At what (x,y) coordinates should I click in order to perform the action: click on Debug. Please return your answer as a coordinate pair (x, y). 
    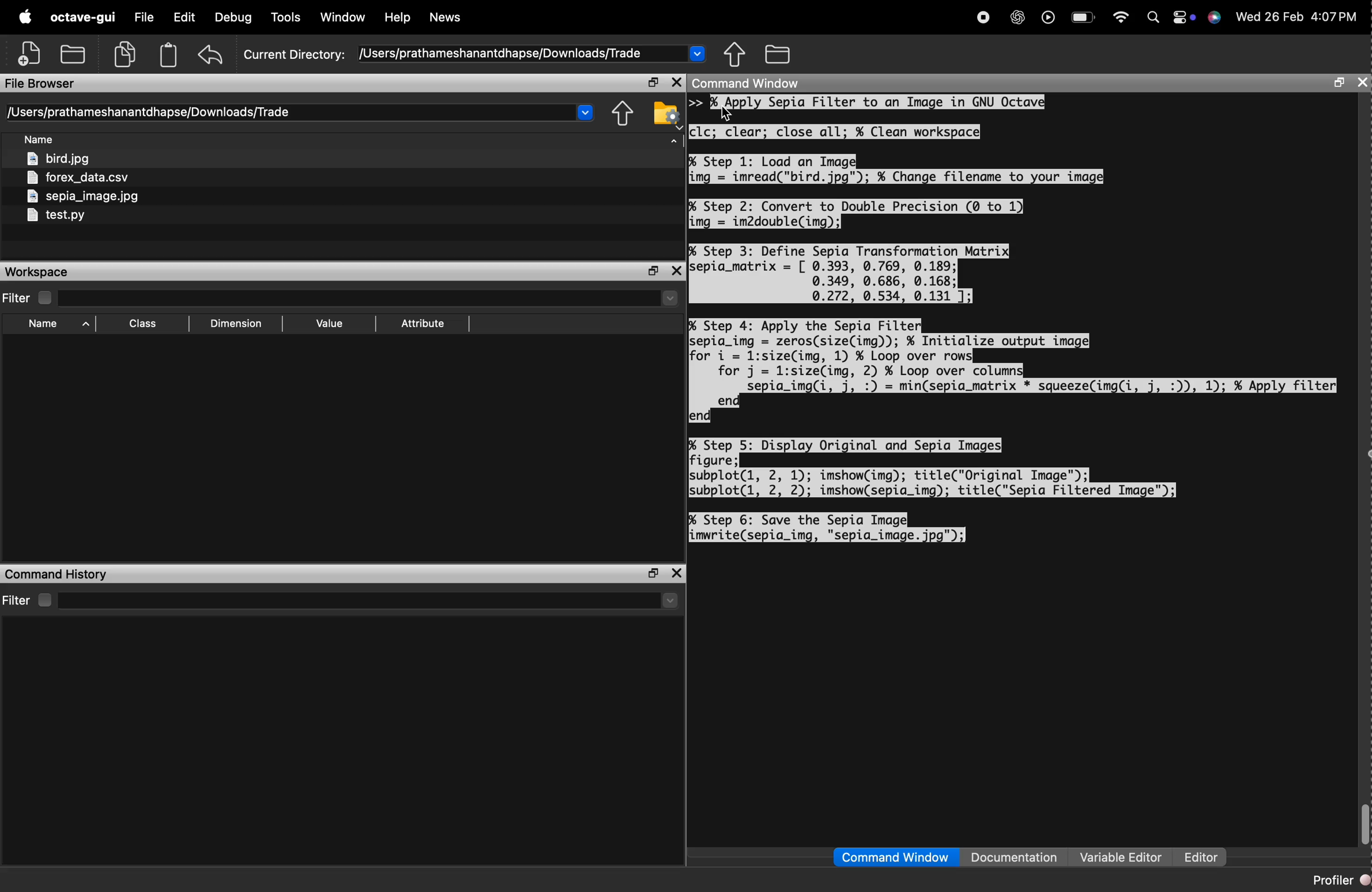
    Looking at the image, I should click on (233, 17).